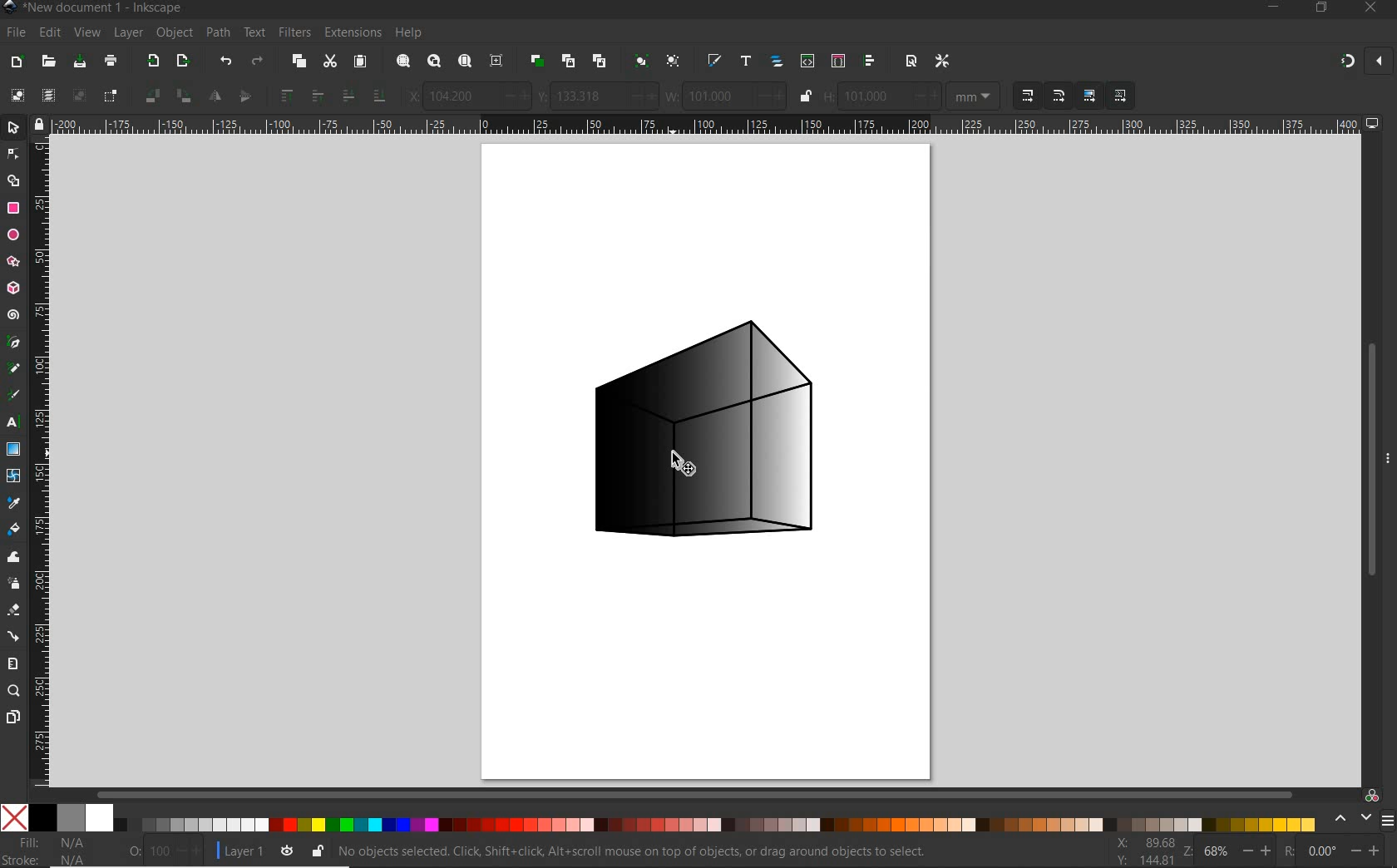 The image size is (1397, 868). I want to click on OPEN EXPORT, so click(183, 62).